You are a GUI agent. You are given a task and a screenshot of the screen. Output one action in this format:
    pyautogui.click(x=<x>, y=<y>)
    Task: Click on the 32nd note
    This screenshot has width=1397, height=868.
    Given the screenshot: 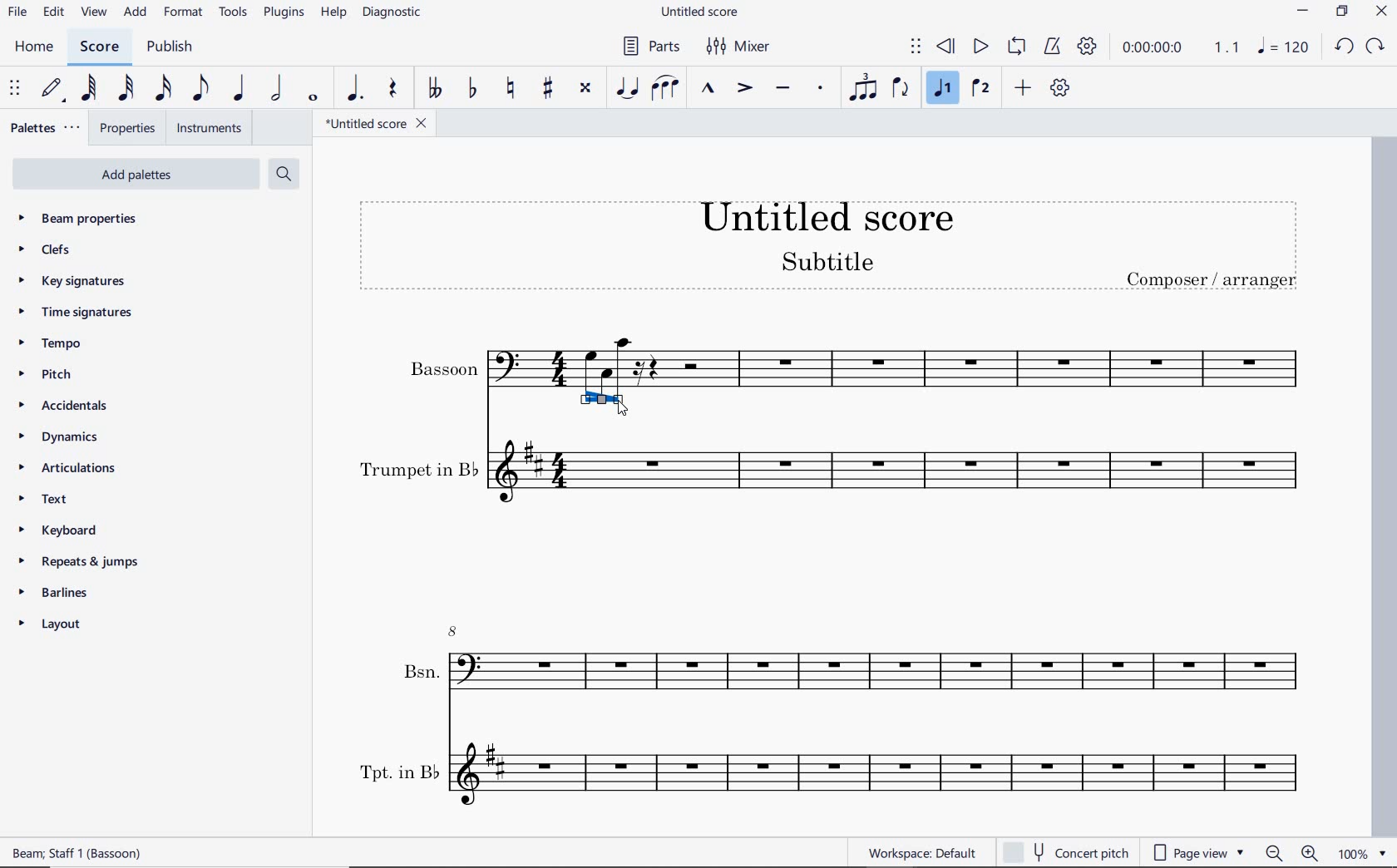 What is the action you would take?
    pyautogui.click(x=126, y=87)
    